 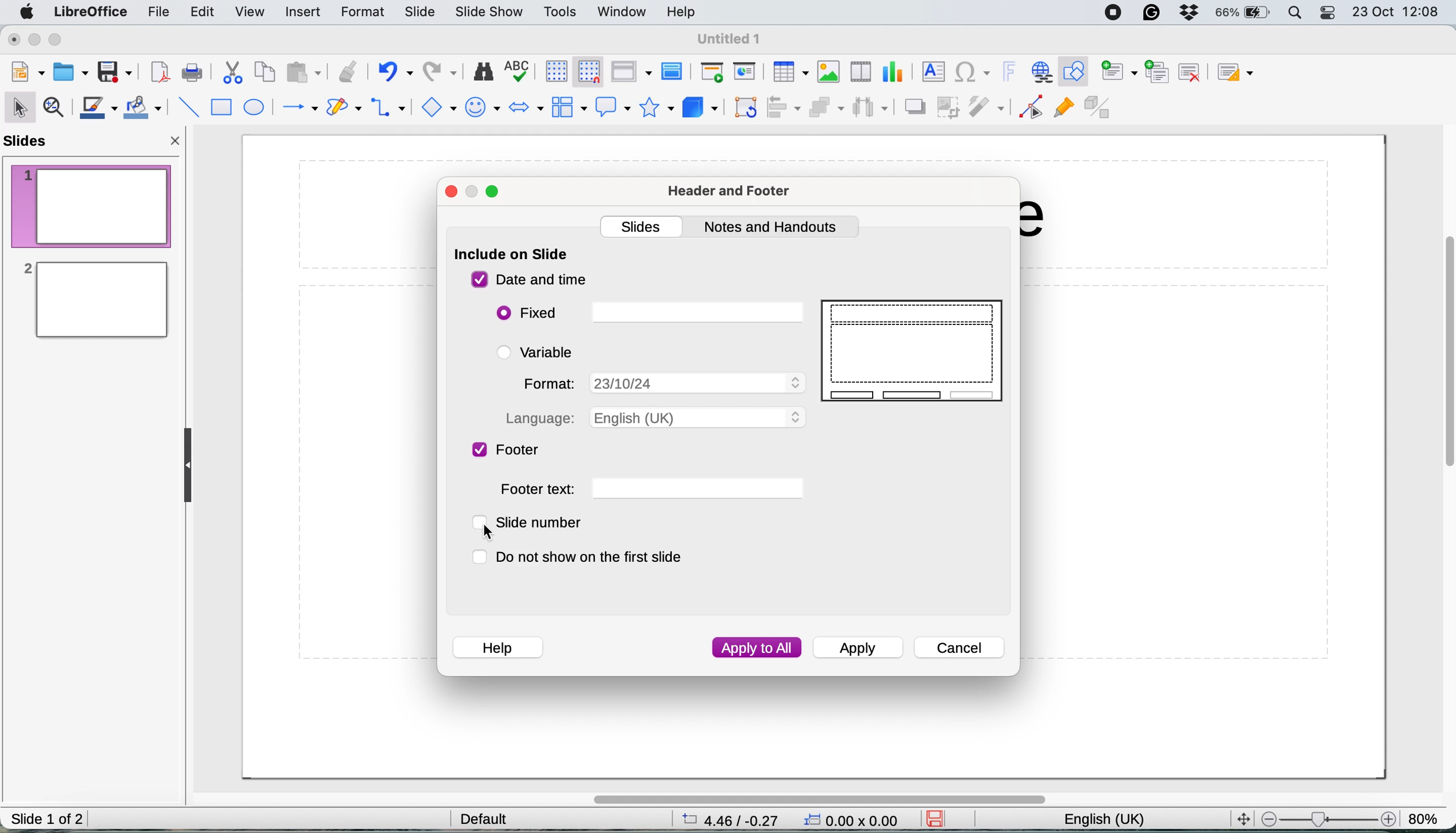 I want to click on collapse, so click(x=192, y=466).